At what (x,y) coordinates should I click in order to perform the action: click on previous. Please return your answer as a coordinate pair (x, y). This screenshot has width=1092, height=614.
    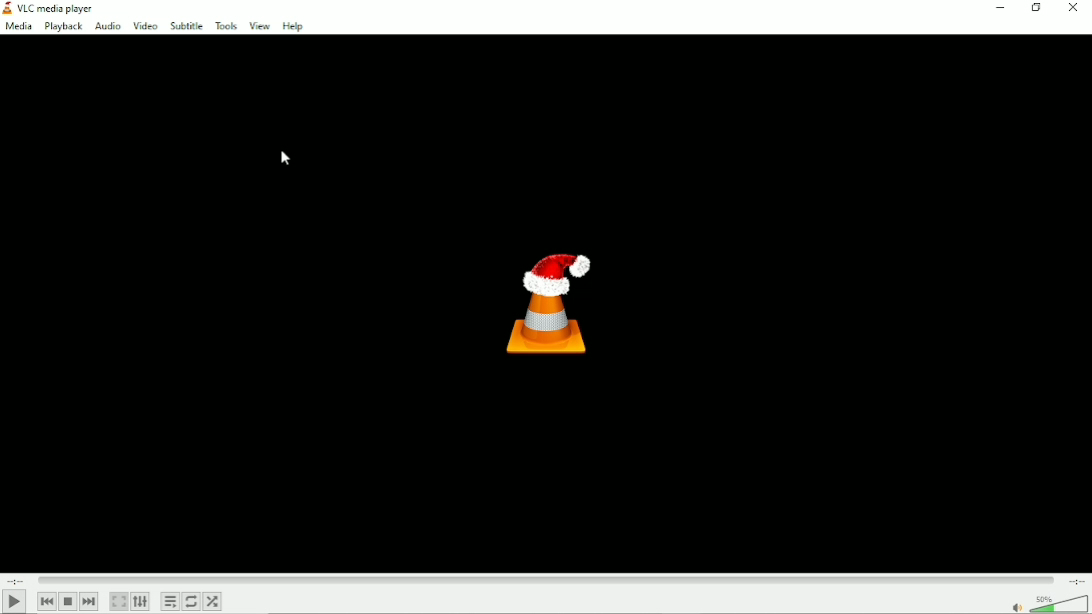
    Looking at the image, I should click on (46, 601).